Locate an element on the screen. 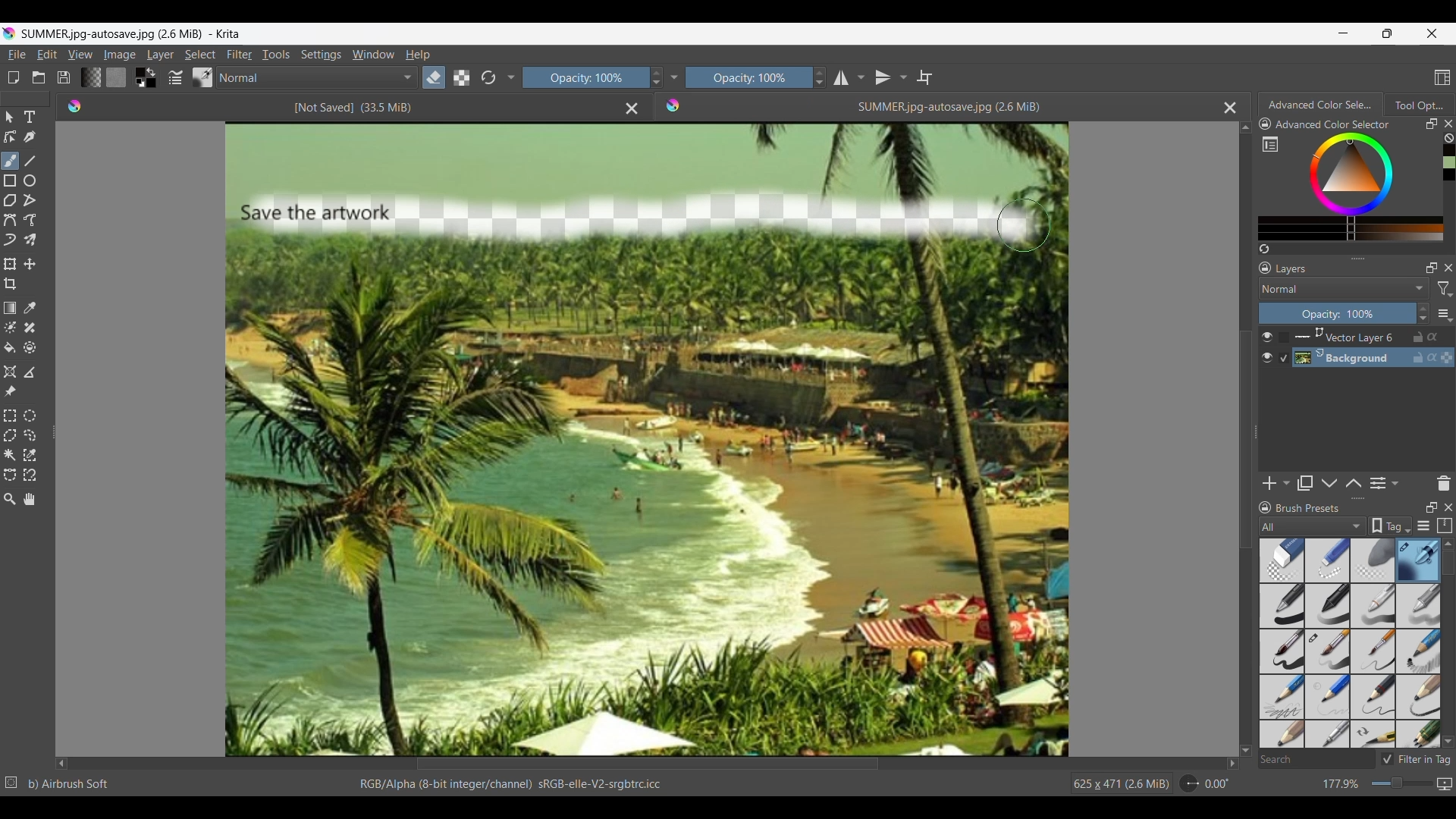 This screenshot has height=819, width=1456. Logo is located at coordinates (77, 106).